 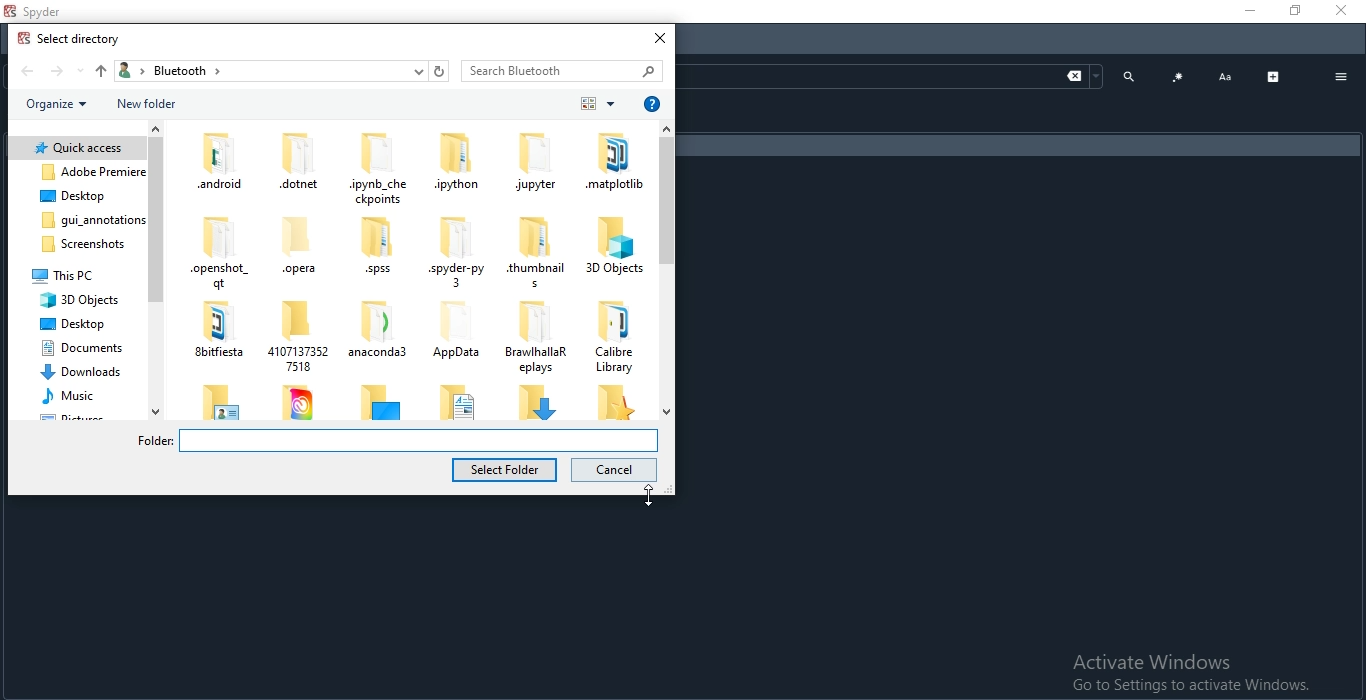 I want to click on folder, so click(x=300, y=162).